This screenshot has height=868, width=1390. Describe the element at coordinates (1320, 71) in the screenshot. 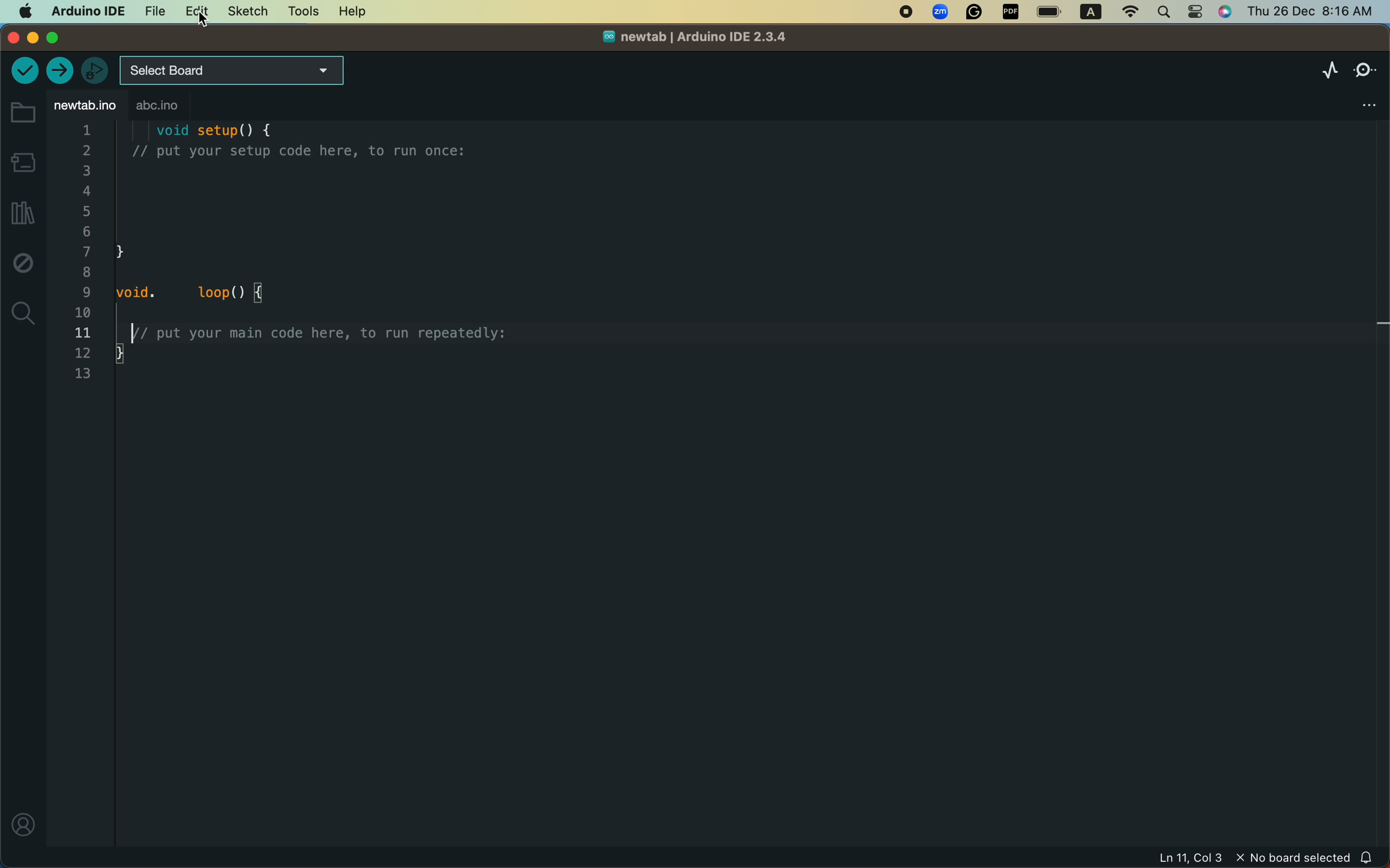

I see `serial plotter` at that location.